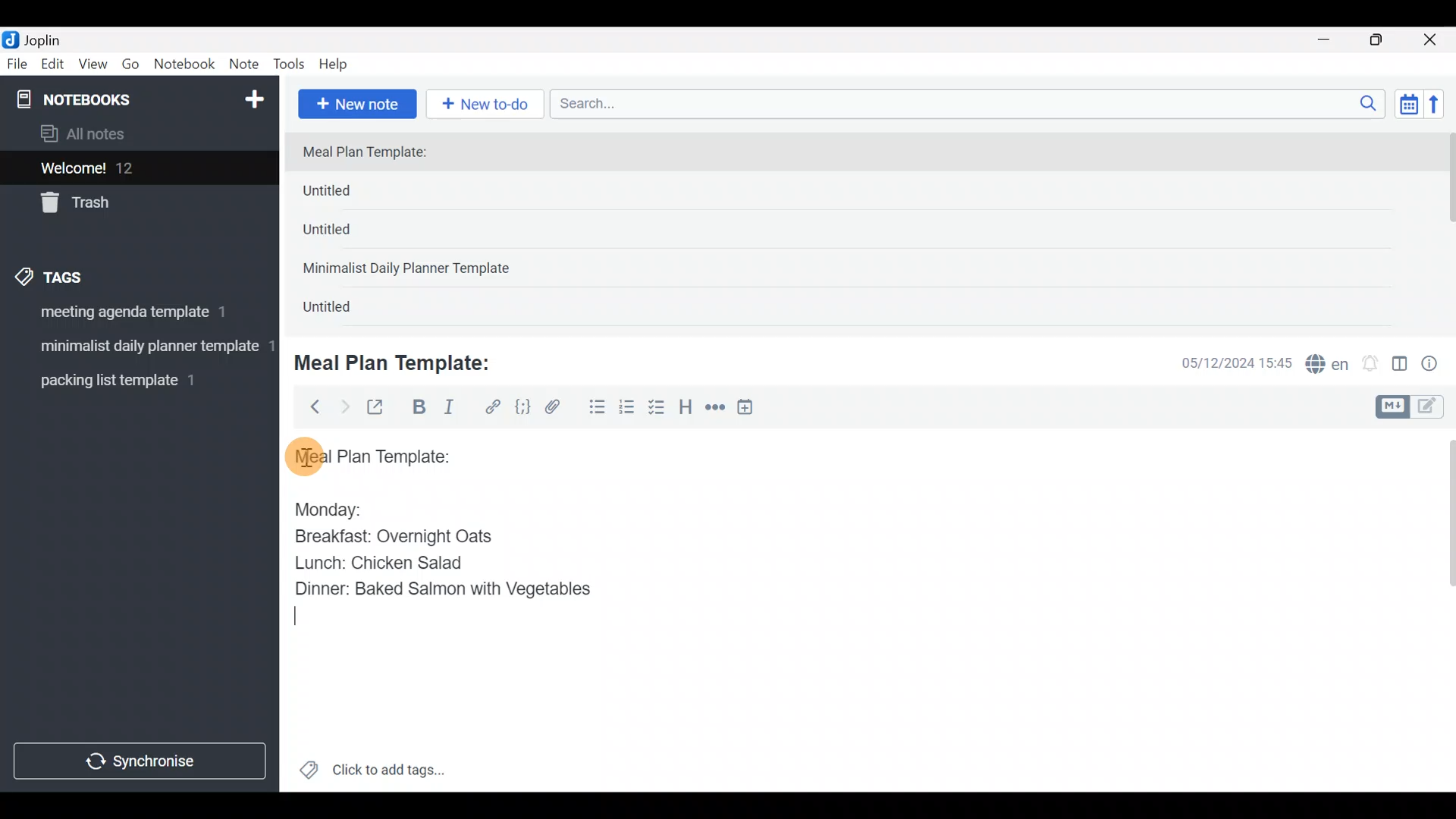 The image size is (1456, 819). Describe the element at coordinates (557, 409) in the screenshot. I see `Attach file` at that location.